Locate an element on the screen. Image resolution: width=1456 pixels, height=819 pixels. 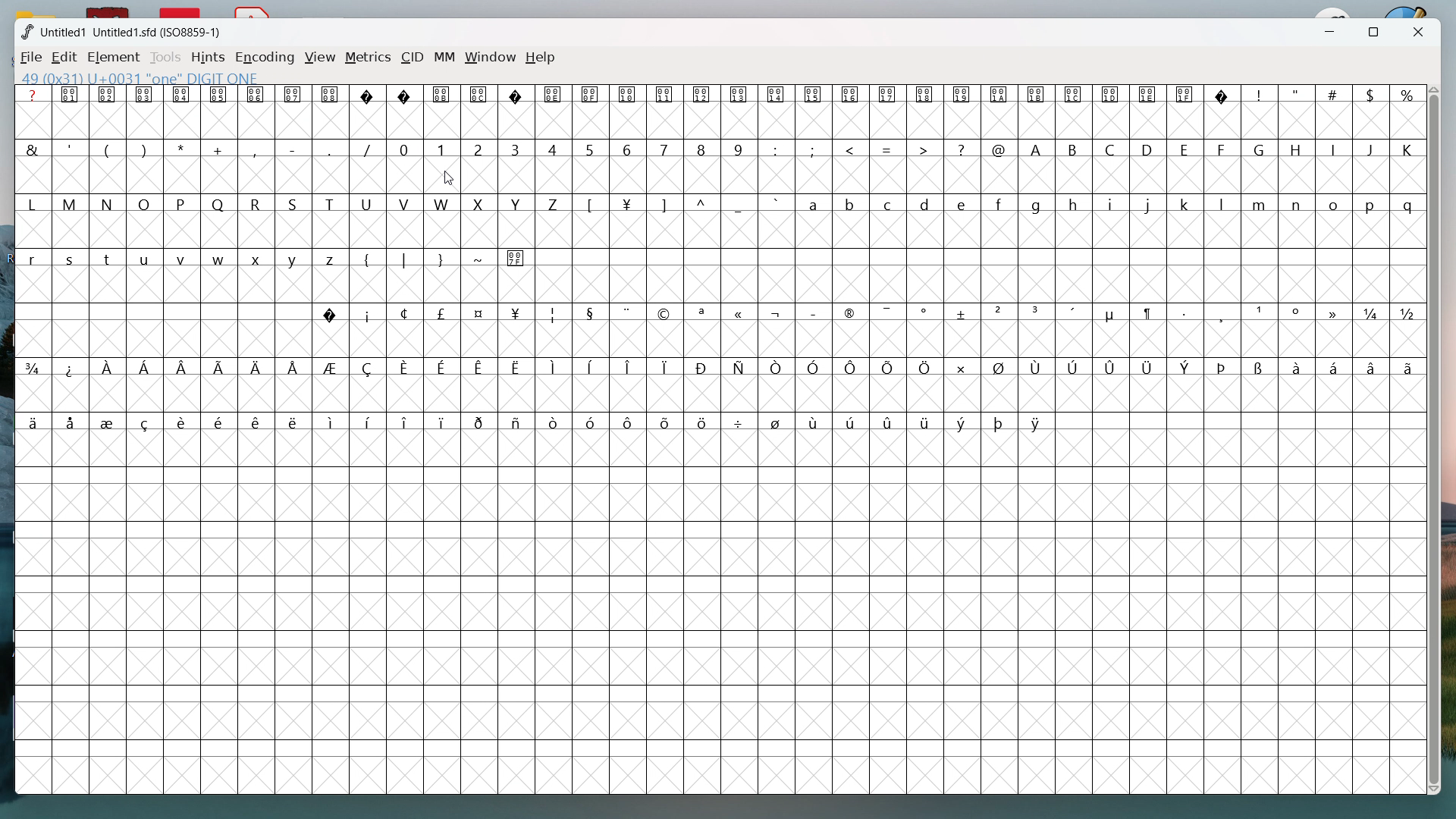
i is located at coordinates (1113, 203).